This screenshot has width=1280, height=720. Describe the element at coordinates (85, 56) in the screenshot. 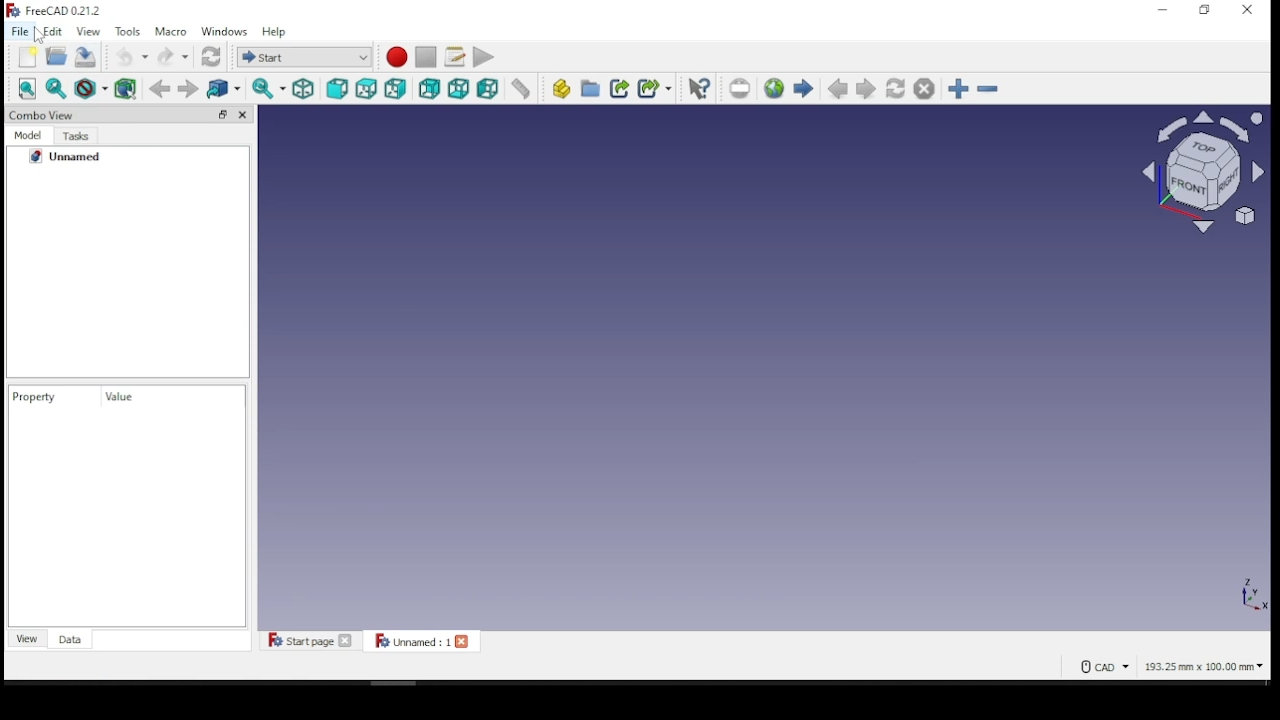

I see `save` at that location.